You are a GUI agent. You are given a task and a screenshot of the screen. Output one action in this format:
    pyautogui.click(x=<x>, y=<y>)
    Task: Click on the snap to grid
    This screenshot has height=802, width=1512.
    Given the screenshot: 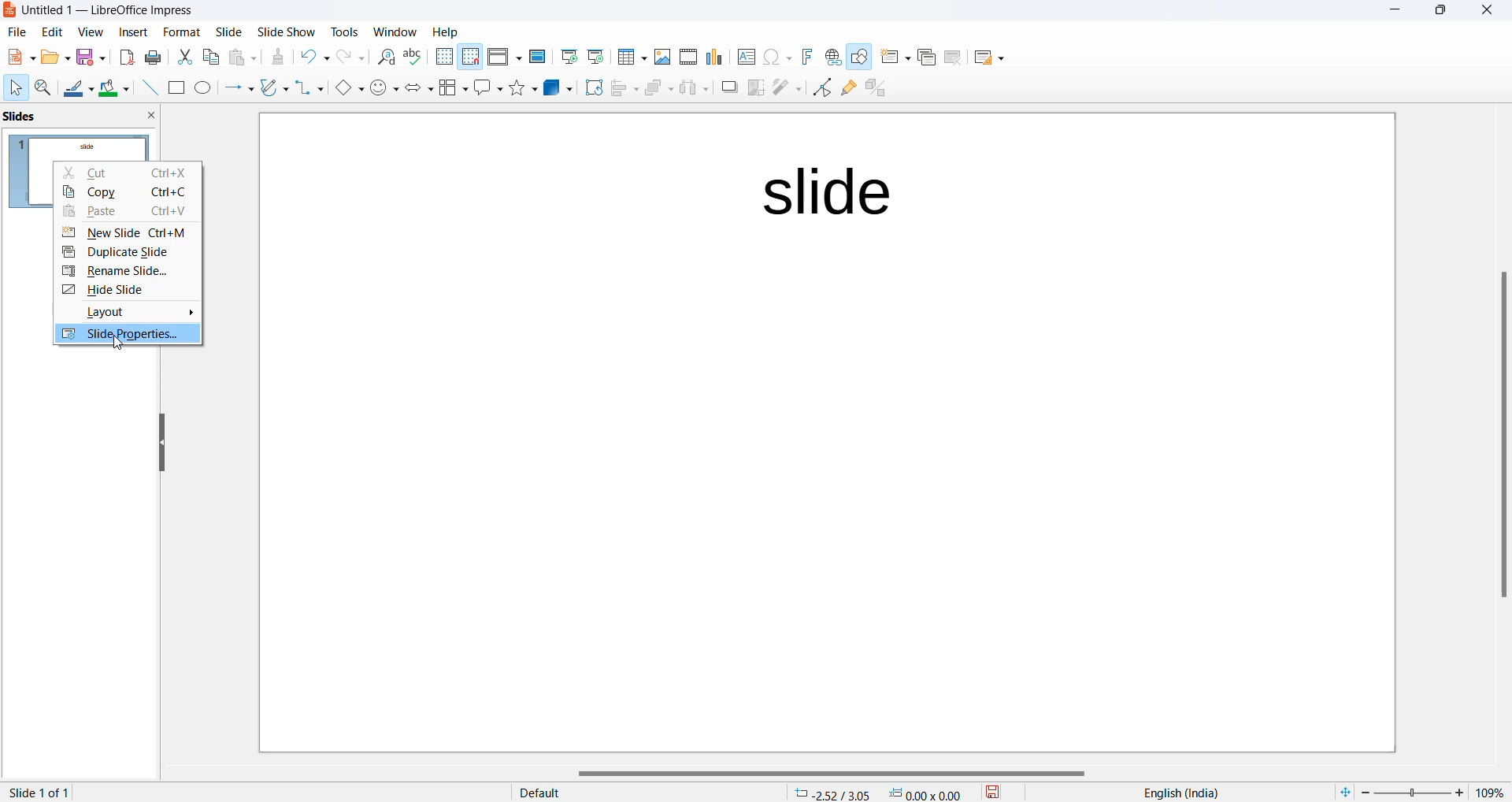 What is the action you would take?
    pyautogui.click(x=470, y=58)
    